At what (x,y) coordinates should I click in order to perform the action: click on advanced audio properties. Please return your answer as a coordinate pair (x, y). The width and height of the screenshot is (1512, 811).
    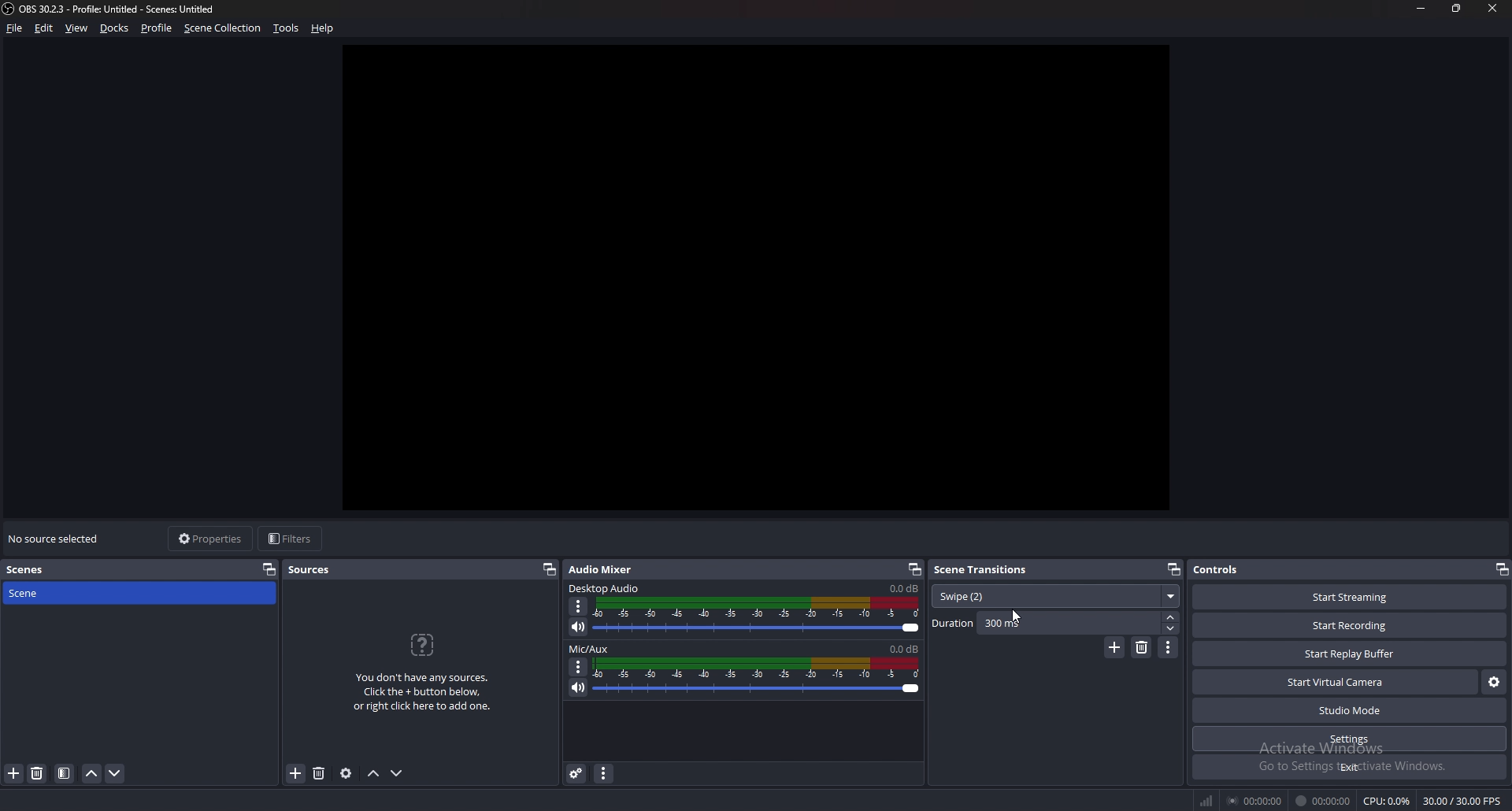
    Looking at the image, I should click on (576, 772).